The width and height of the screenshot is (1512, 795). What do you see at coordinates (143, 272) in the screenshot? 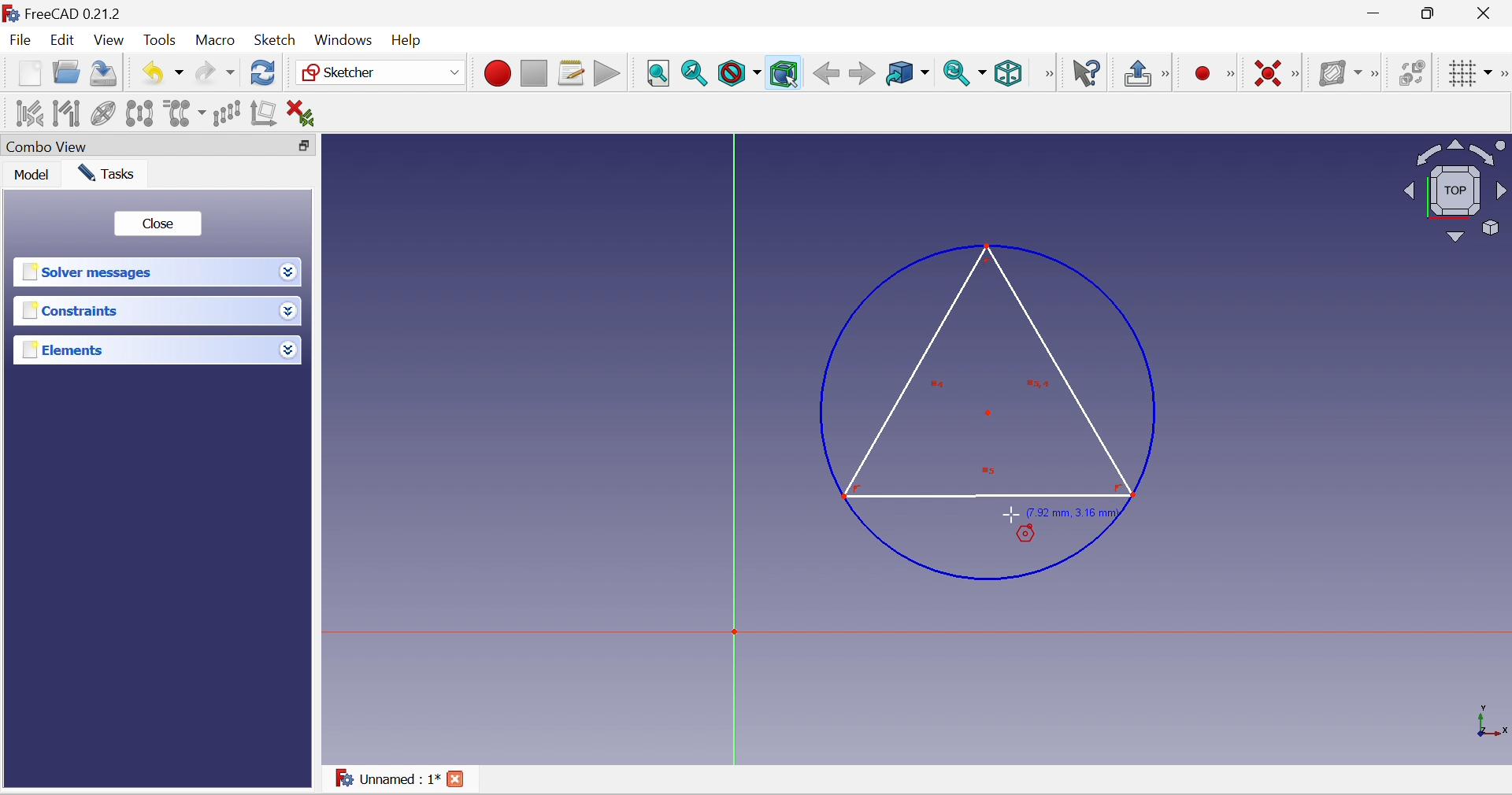
I see `Solver messages` at bounding box center [143, 272].